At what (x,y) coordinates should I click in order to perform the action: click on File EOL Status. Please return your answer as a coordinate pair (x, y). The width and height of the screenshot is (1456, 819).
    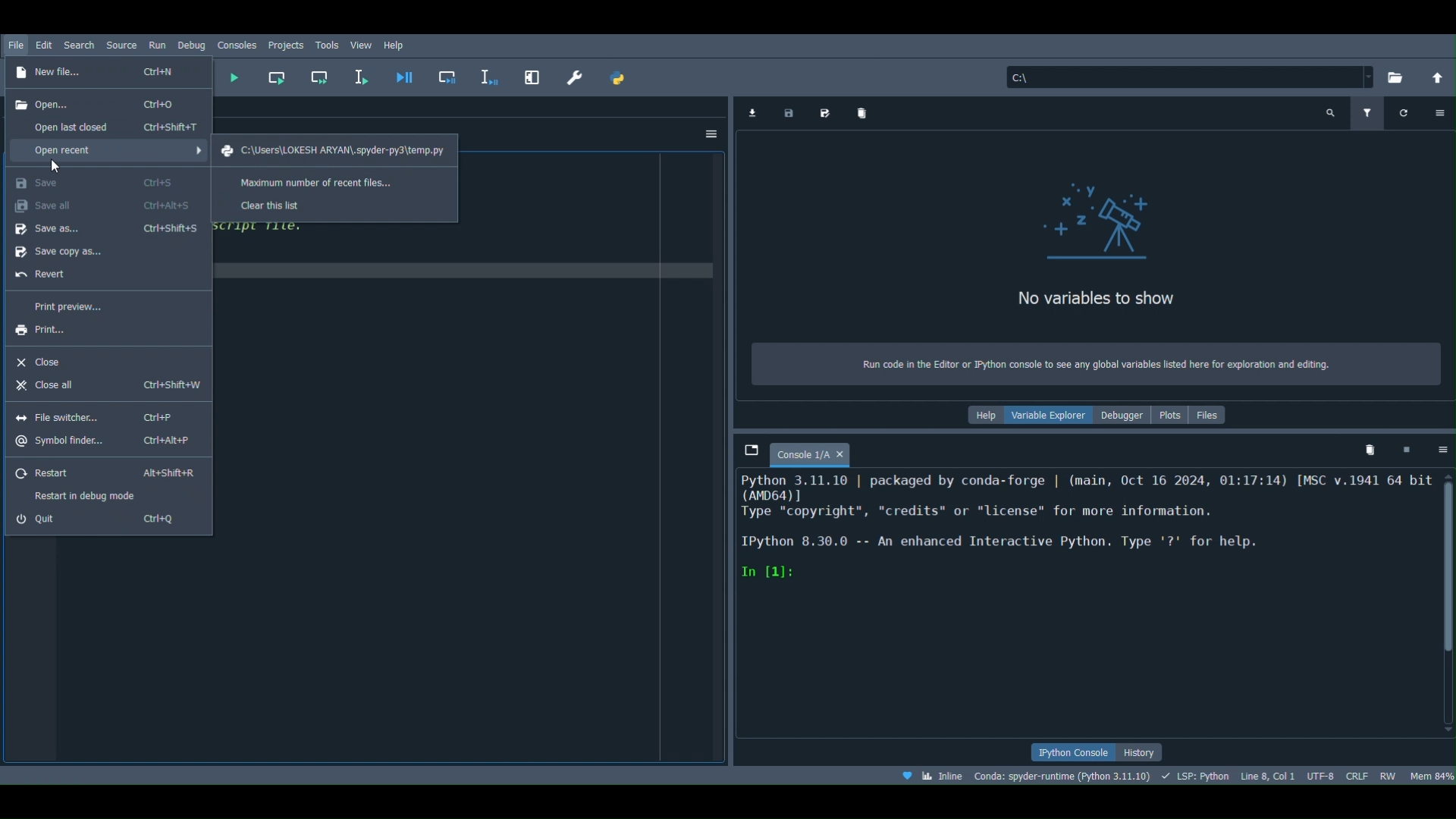
    Looking at the image, I should click on (1355, 773).